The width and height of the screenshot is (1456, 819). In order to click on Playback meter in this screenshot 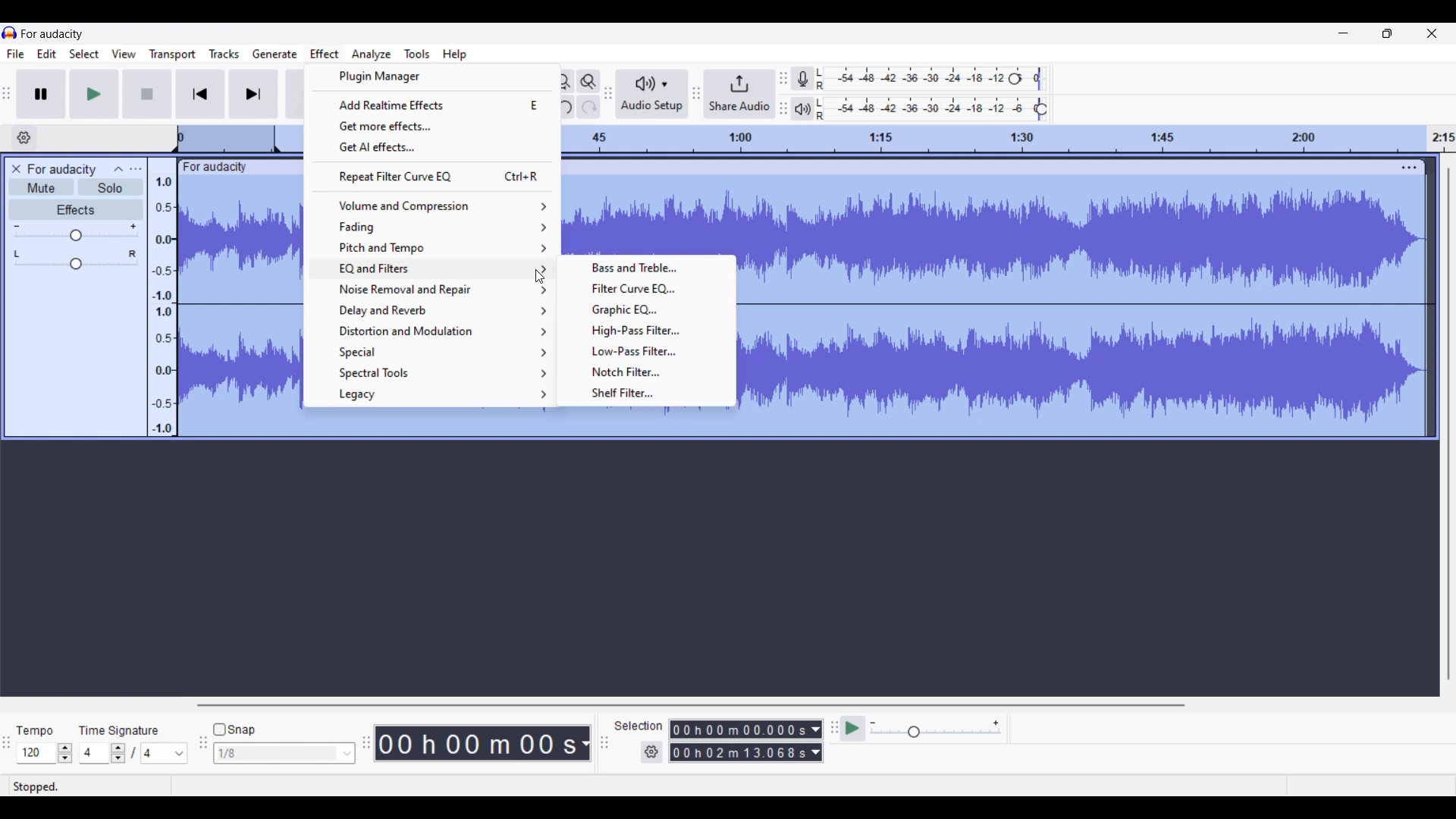, I will do `click(803, 109)`.